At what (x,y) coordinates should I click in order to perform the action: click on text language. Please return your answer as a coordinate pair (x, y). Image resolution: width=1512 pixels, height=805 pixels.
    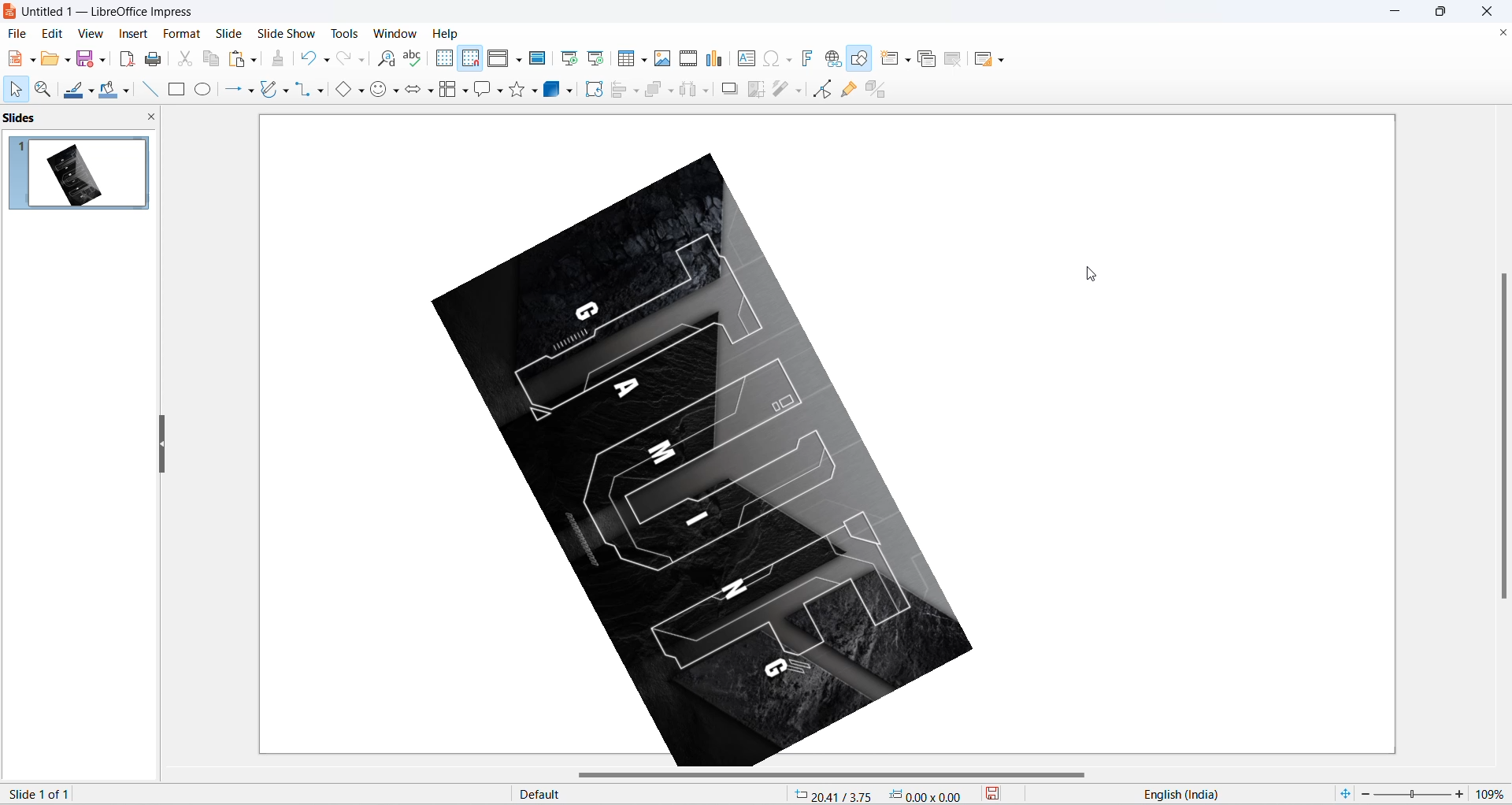
    Looking at the image, I should click on (1220, 794).